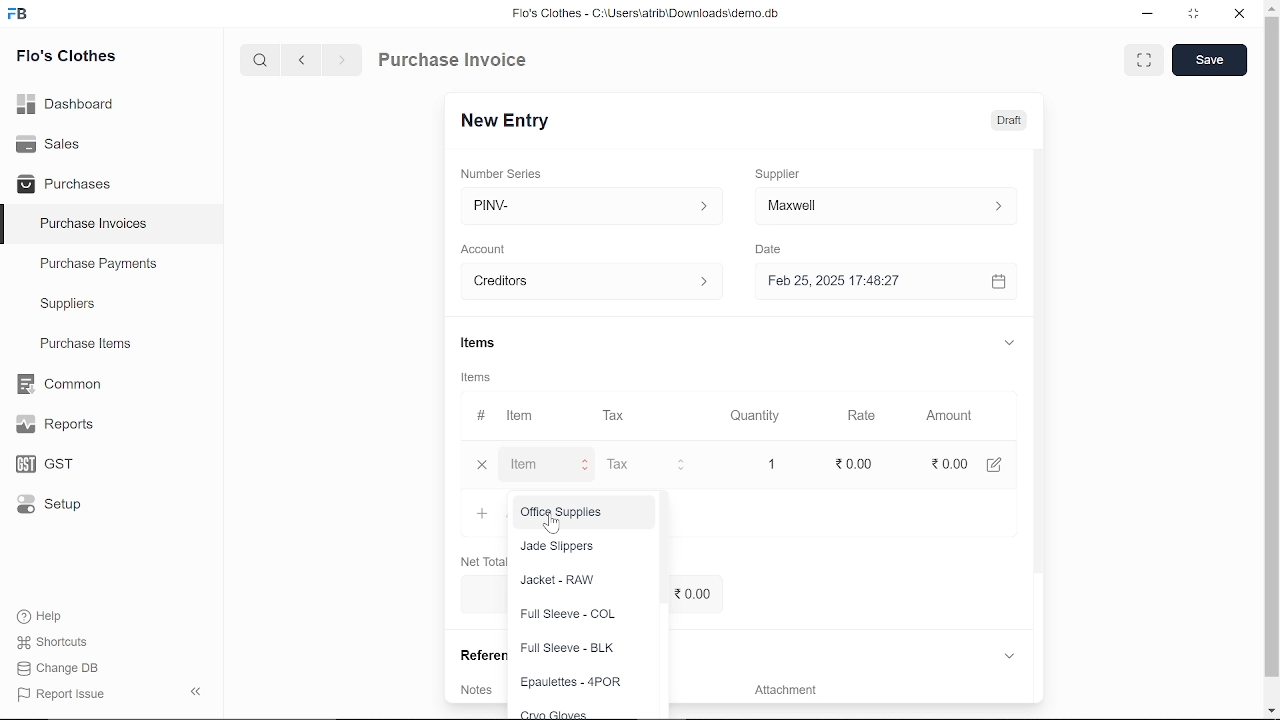 The height and width of the screenshot is (720, 1280). What do you see at coordinates (1045, 360) in the screenshot?
I see `vertical scrollbar` at bounding box center [1045, 360].